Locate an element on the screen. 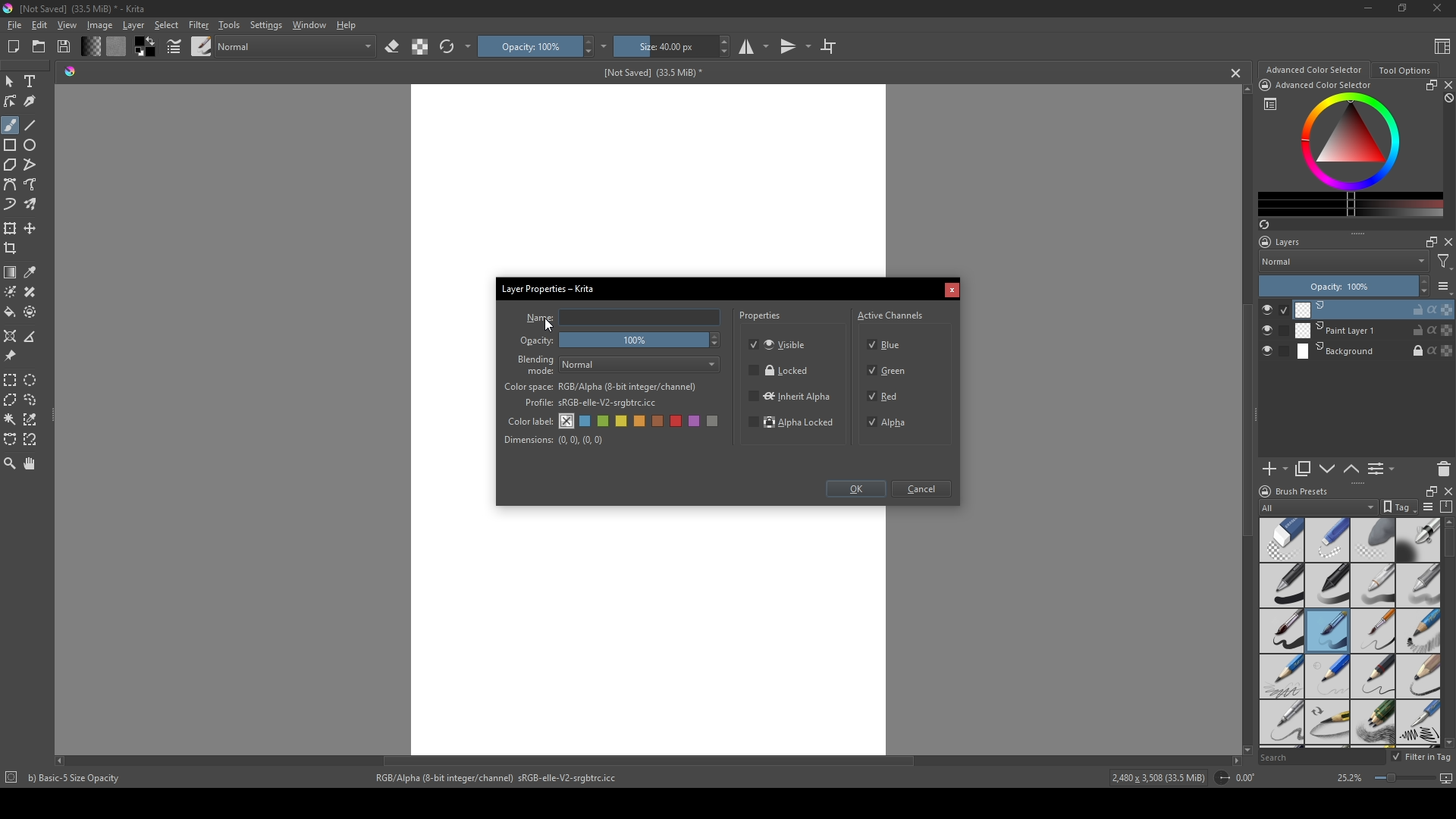  Visible is located at coordinates (780, 344).